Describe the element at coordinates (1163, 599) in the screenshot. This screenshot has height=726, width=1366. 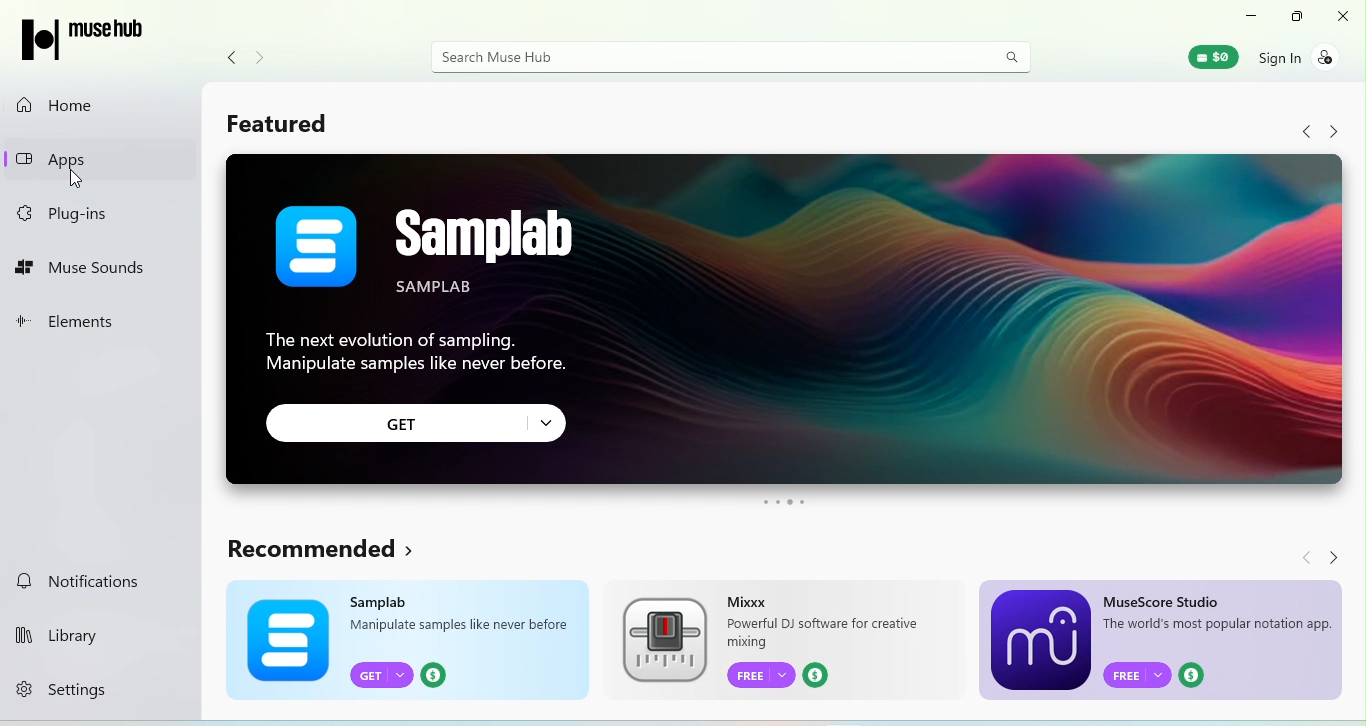
I see `Musescore Studio` at that location.